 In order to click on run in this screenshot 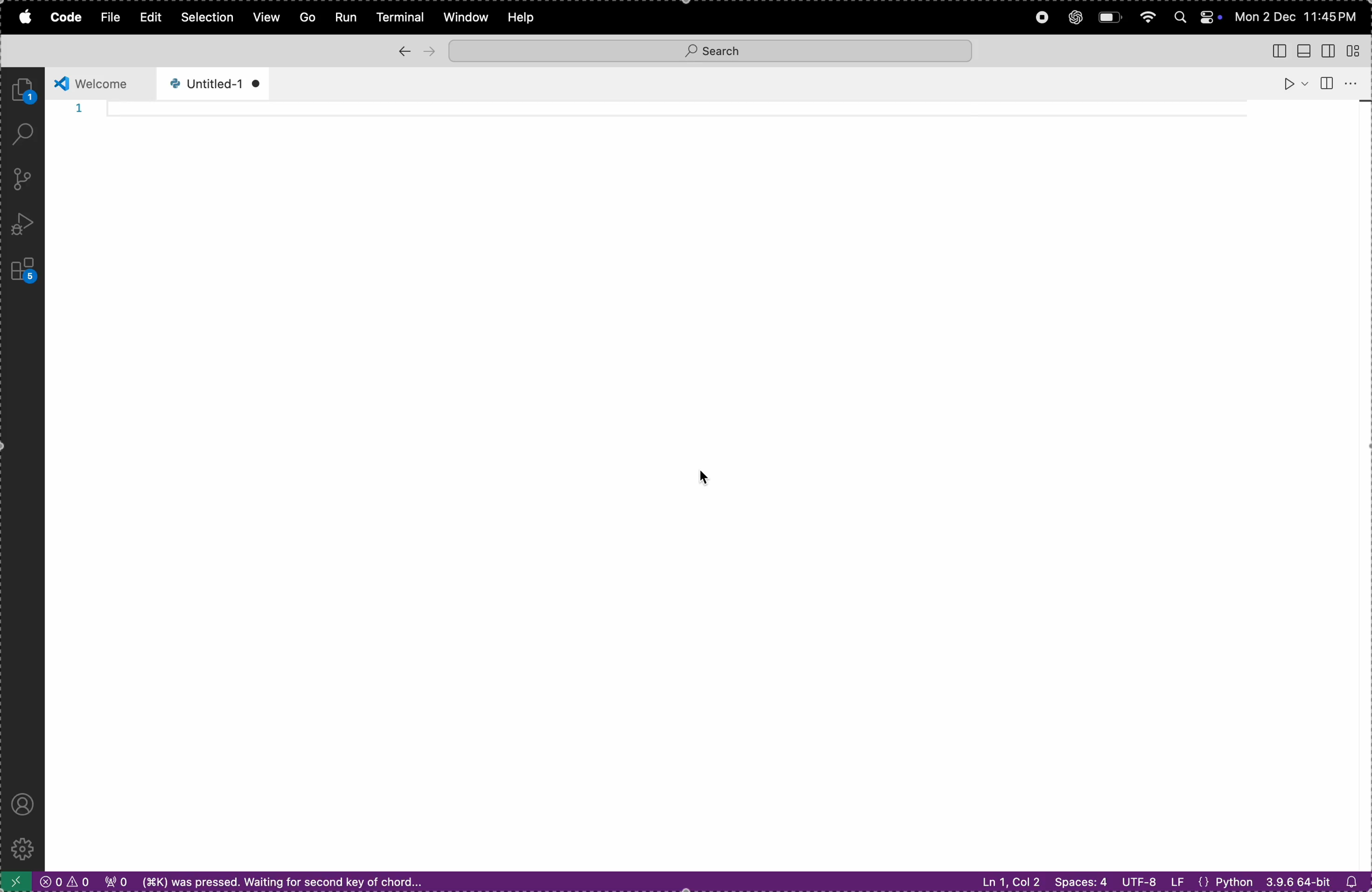, I will do `click(1292, 83)`.